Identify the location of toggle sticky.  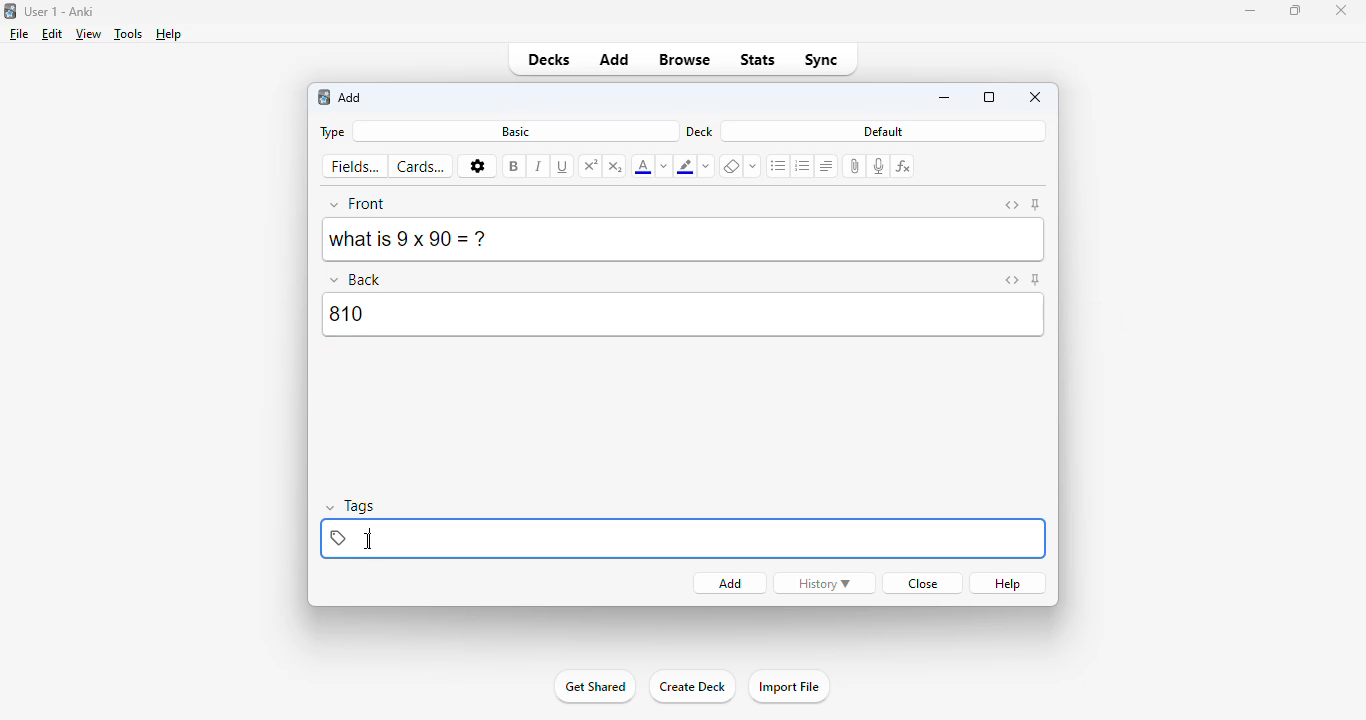
(1036, 205).